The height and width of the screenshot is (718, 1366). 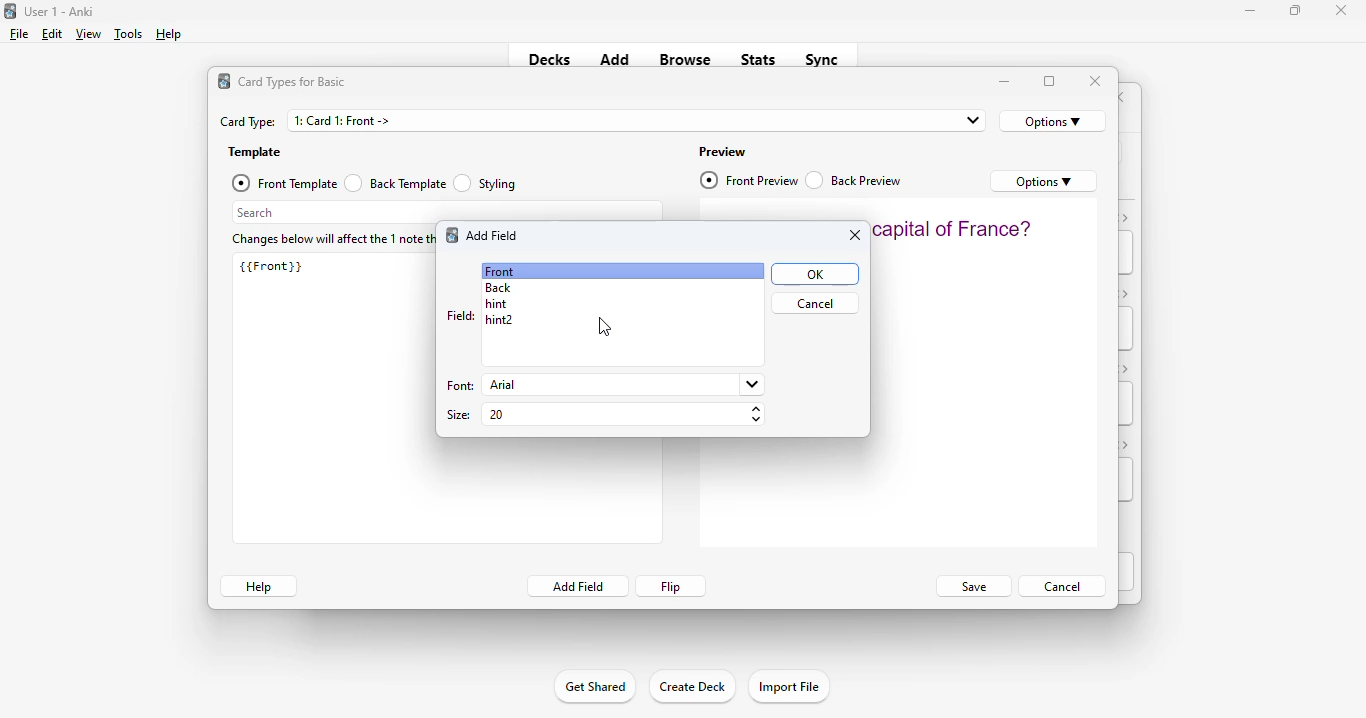 I want to click on title, so click(x=60, y=11).